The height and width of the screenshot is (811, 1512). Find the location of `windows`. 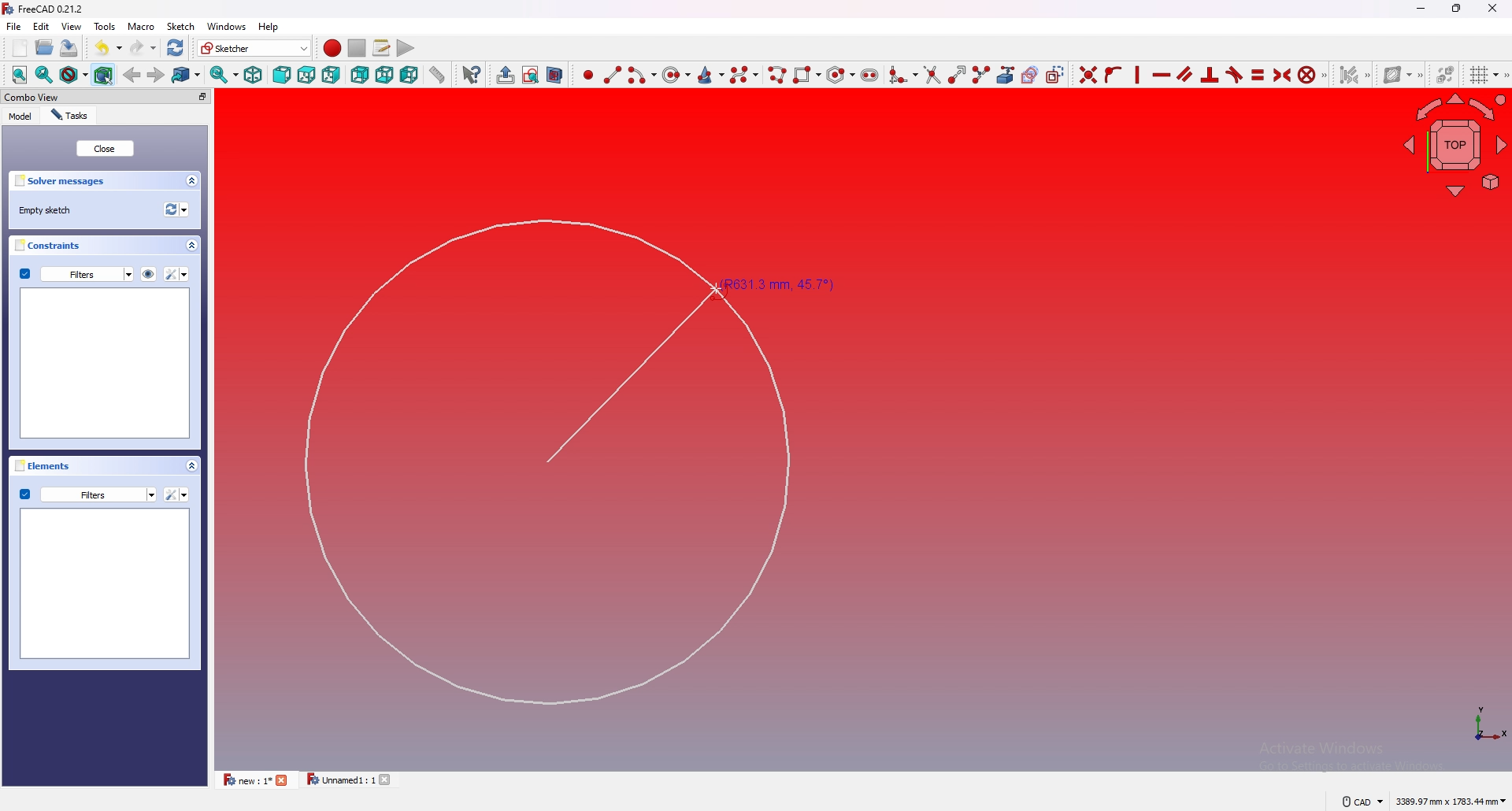

windows is located at coordinates (225, 26).